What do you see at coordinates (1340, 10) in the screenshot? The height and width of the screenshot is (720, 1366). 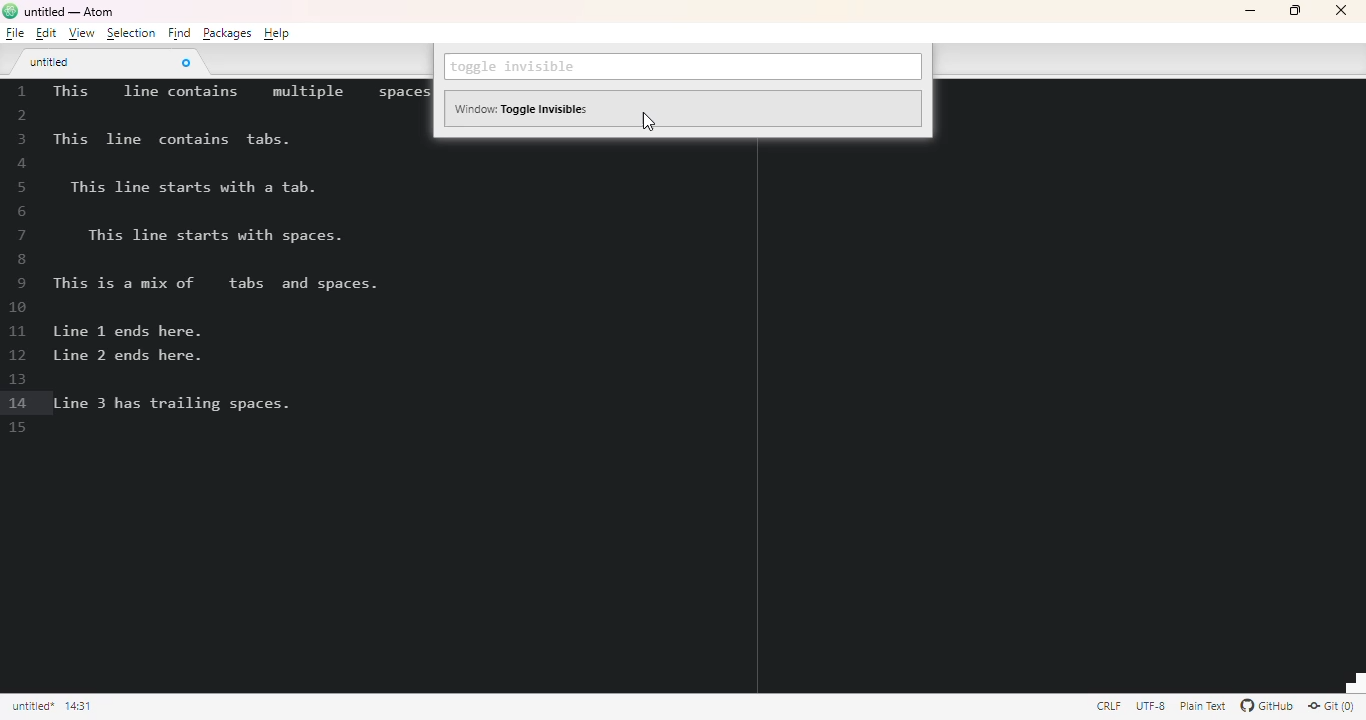 I see `close` at bounding box center [1340, 10].